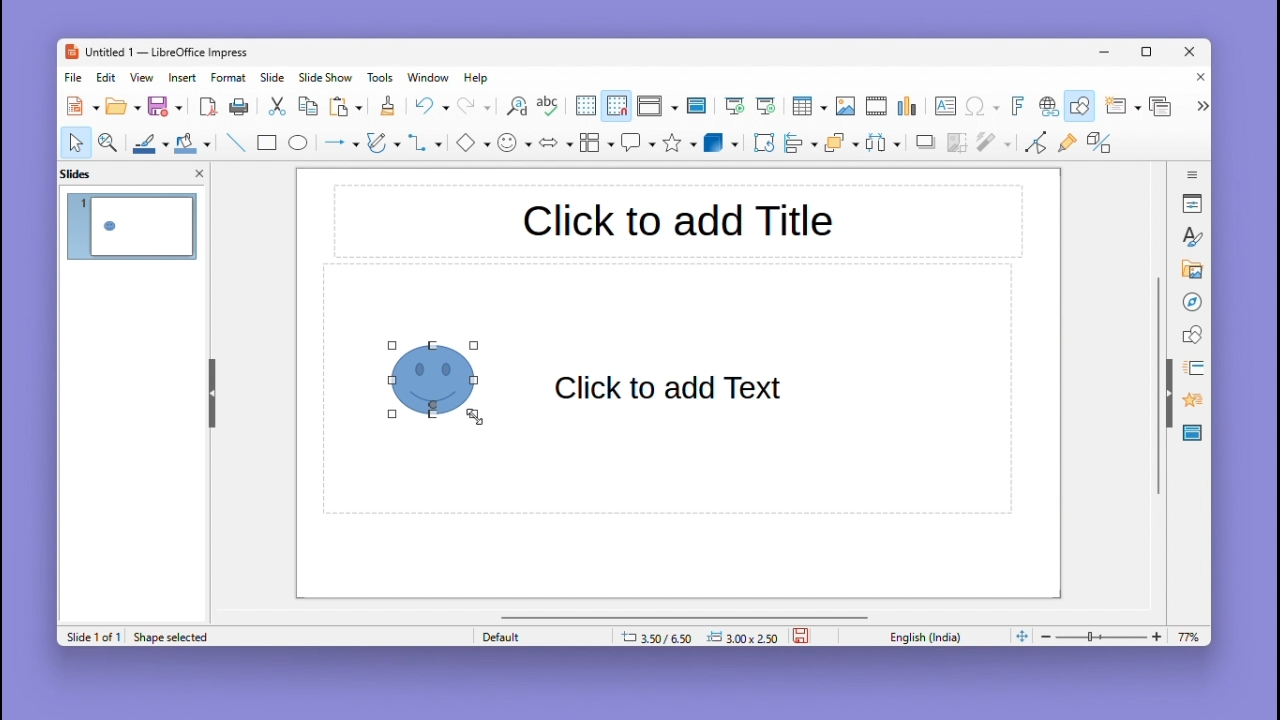 The height and width of the screenshot is (720, 1280). I want to click on Selection tool, so click(75, 142).